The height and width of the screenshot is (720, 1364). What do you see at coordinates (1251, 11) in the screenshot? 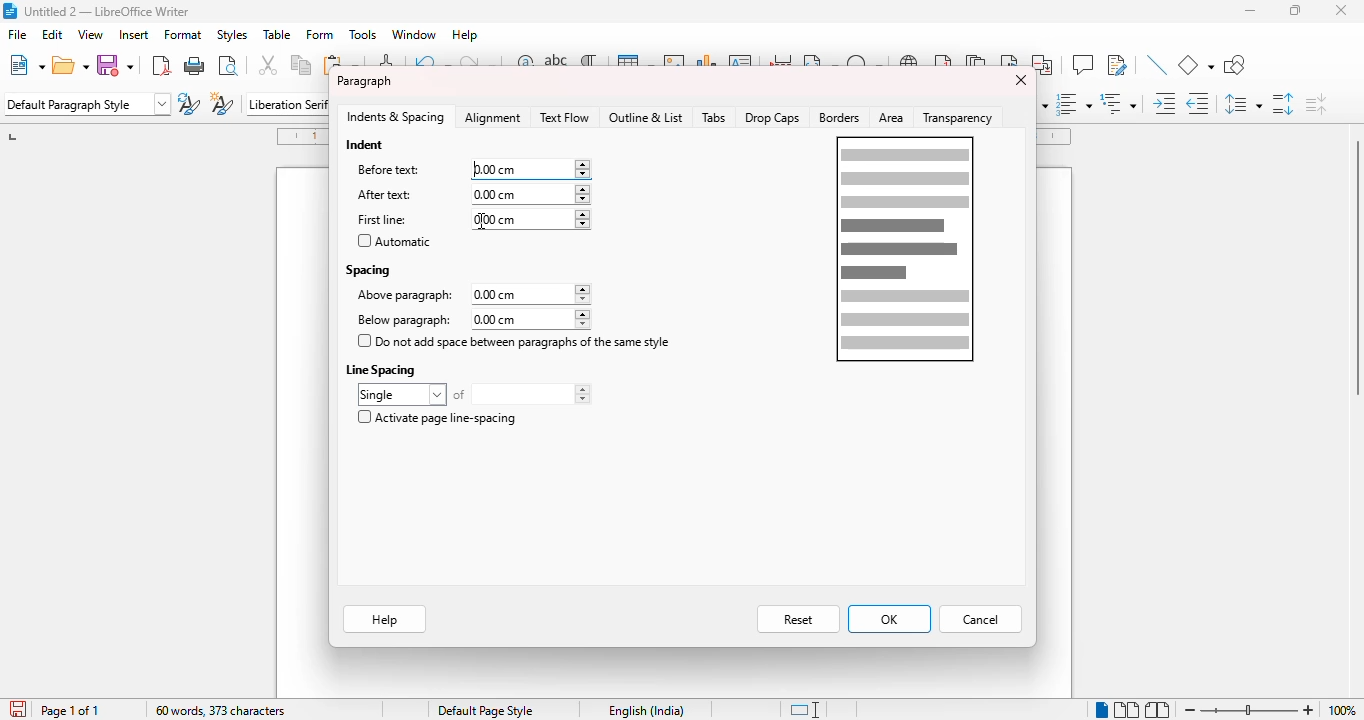
I see `minimize` at bounding box center [1251, 11].